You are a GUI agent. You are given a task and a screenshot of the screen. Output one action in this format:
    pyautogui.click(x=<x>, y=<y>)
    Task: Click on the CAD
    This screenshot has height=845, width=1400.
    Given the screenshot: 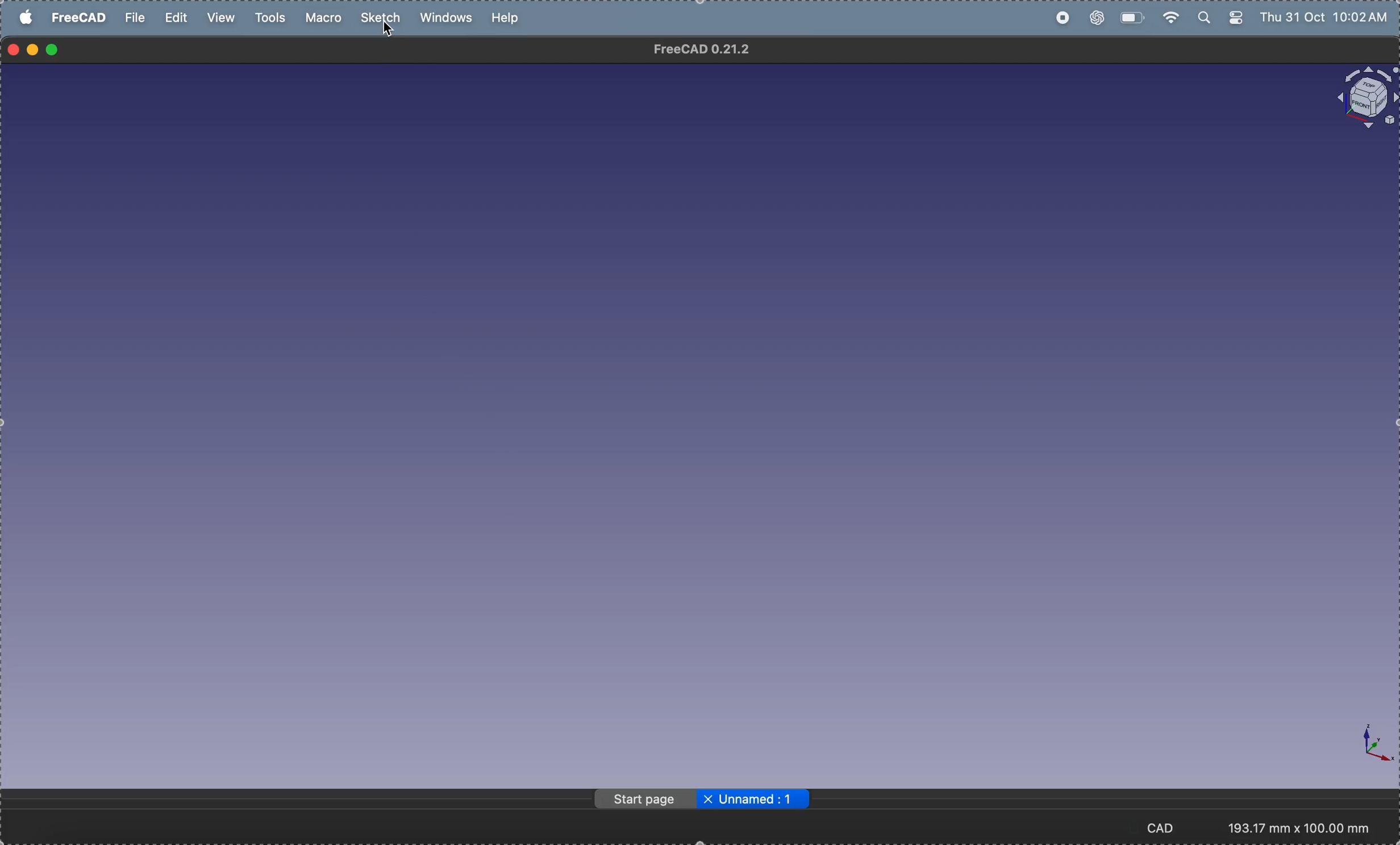 What is the action you would take?
    pyautogui.click(x=1166, y=827)
    